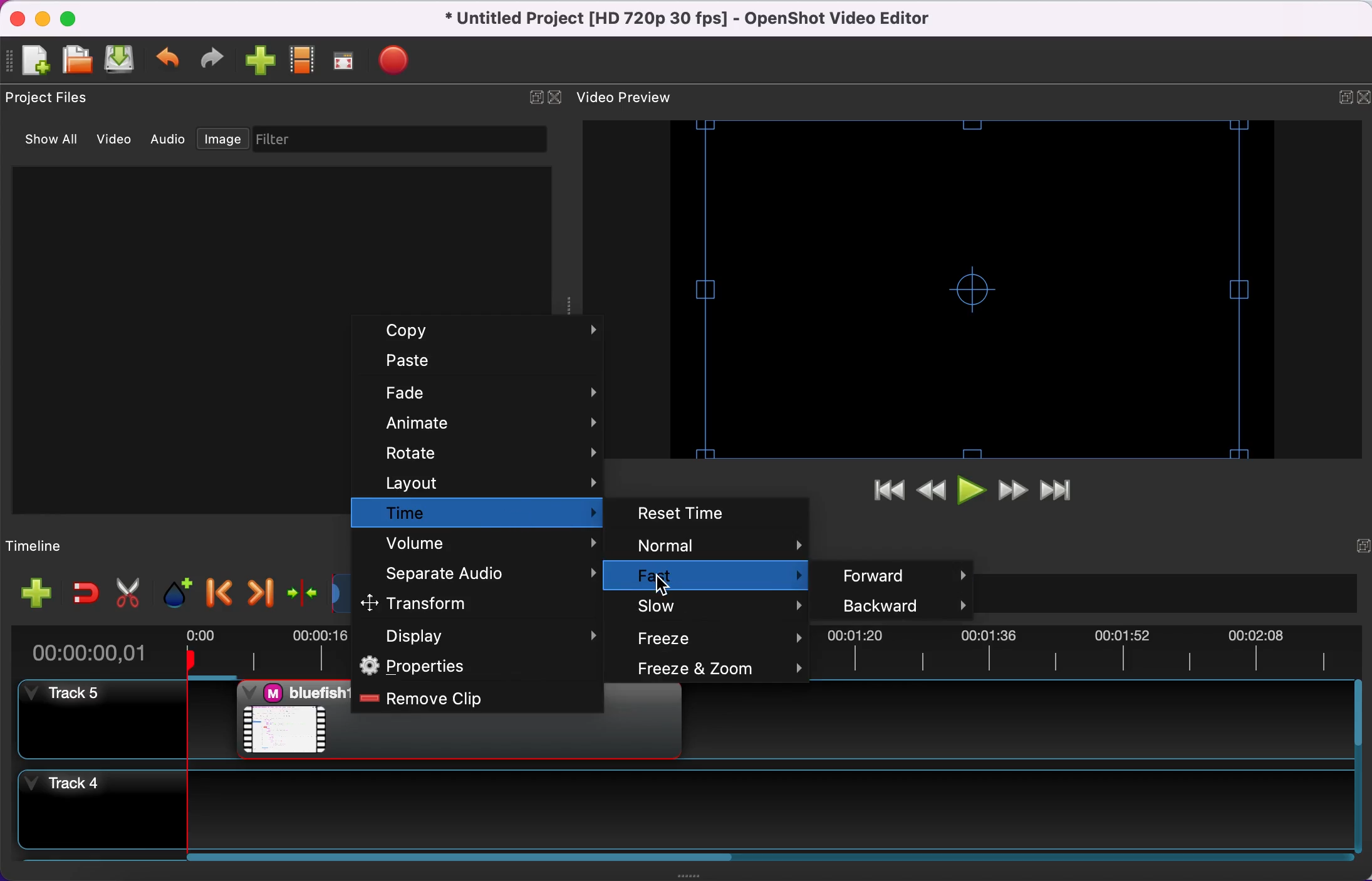 The image size is (1372, 881). Describe the element at coordinates (75, 18) in the screenshot. I see `maximize` at that location.